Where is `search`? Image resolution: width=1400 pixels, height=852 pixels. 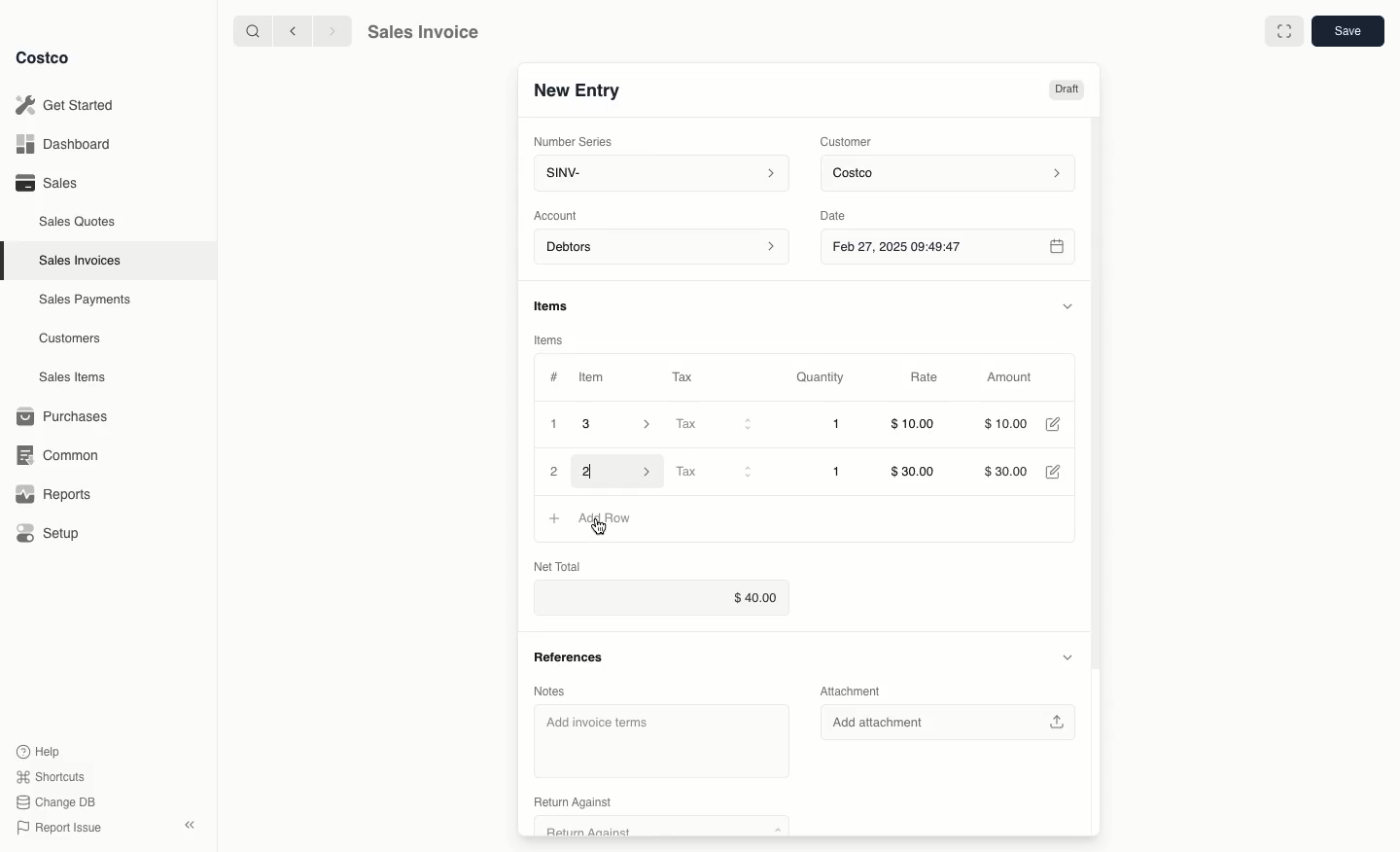
search is located at coordinates (249, 30).